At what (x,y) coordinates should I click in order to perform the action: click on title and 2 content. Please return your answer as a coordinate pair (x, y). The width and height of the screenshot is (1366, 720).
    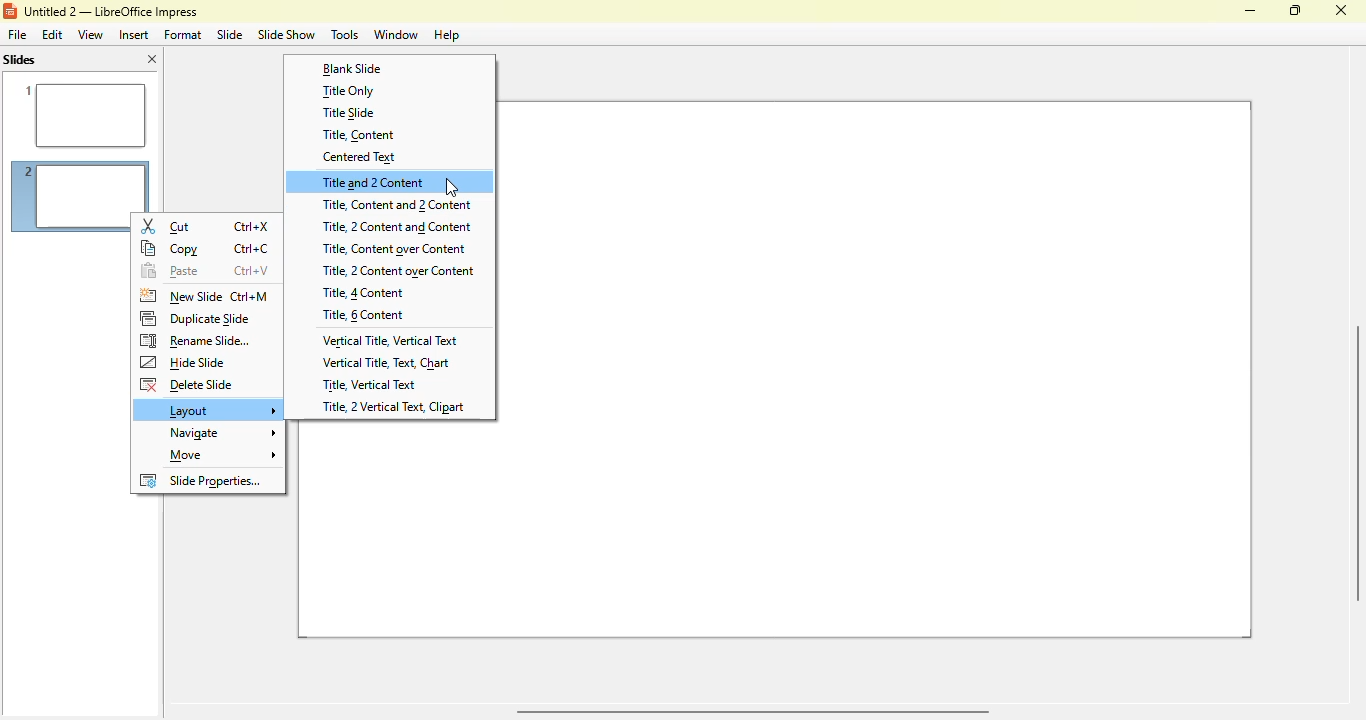
    Looking at the image, I should click on (379, 182).